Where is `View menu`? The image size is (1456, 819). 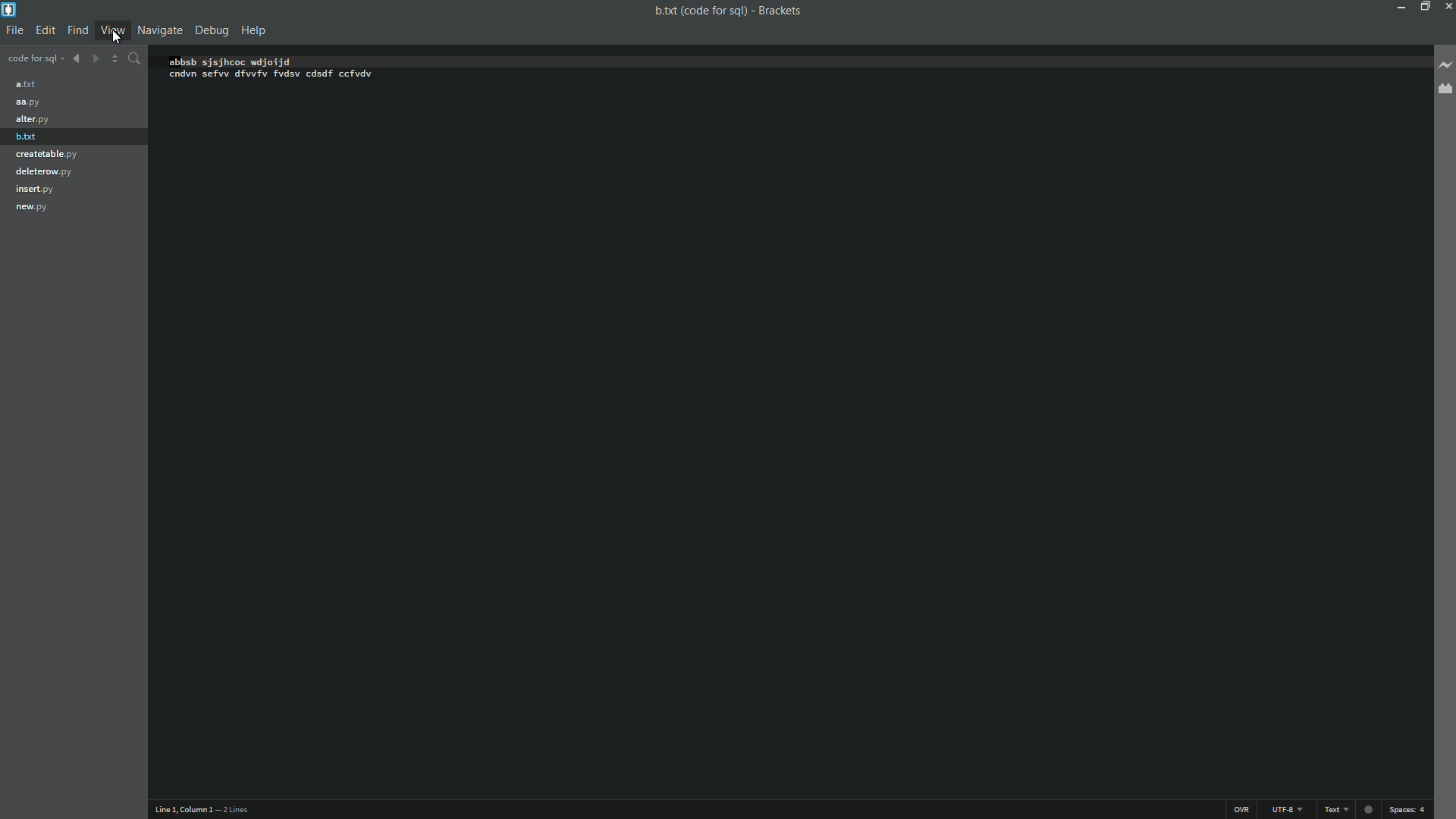 View menu is located at coordinates (113, 30).